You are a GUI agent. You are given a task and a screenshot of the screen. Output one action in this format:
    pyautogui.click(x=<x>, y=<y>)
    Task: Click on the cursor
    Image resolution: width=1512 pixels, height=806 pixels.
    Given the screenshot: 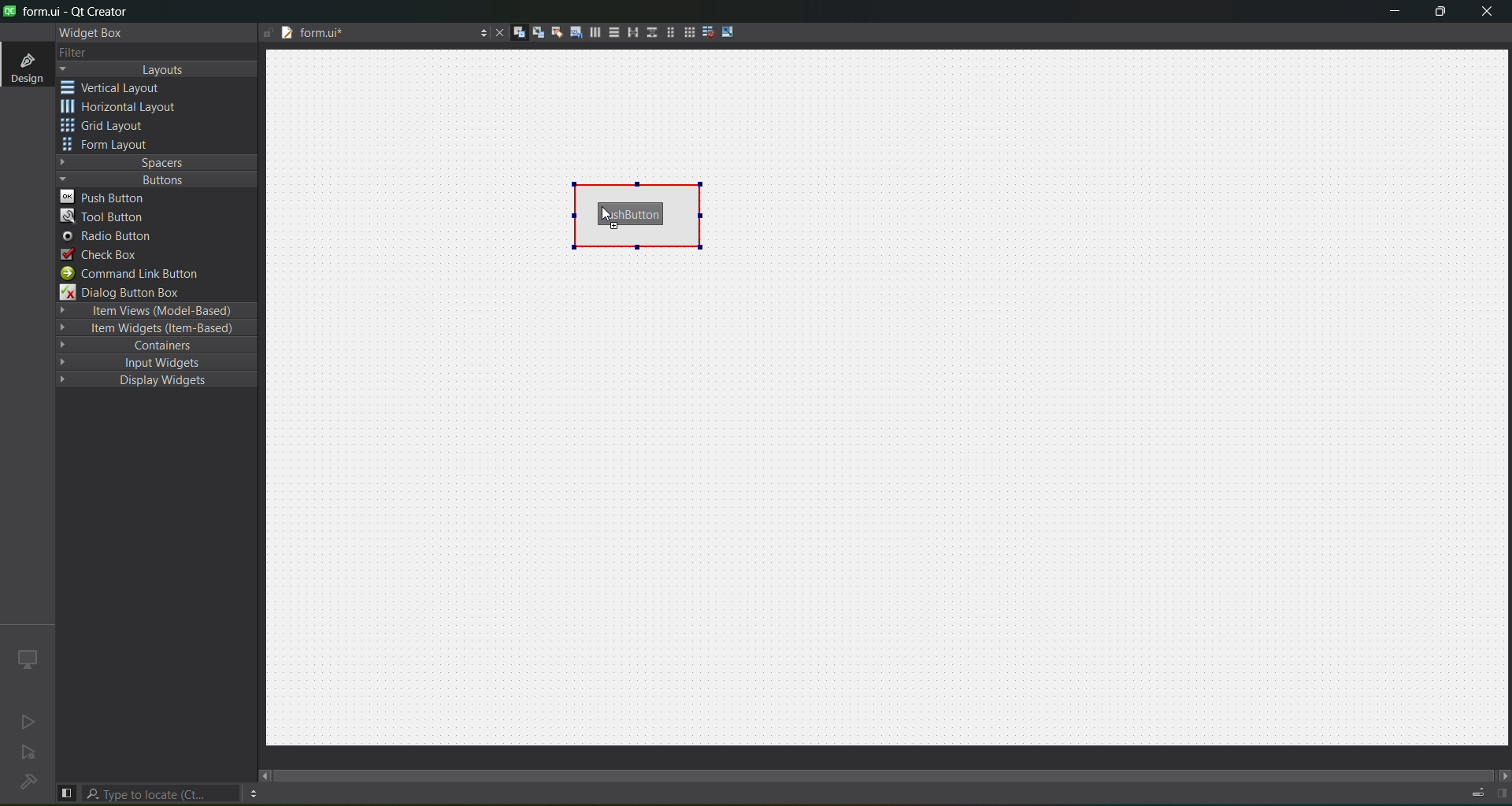 What is the action you would take?
    pyautogui.click(x=195, y=204)
    